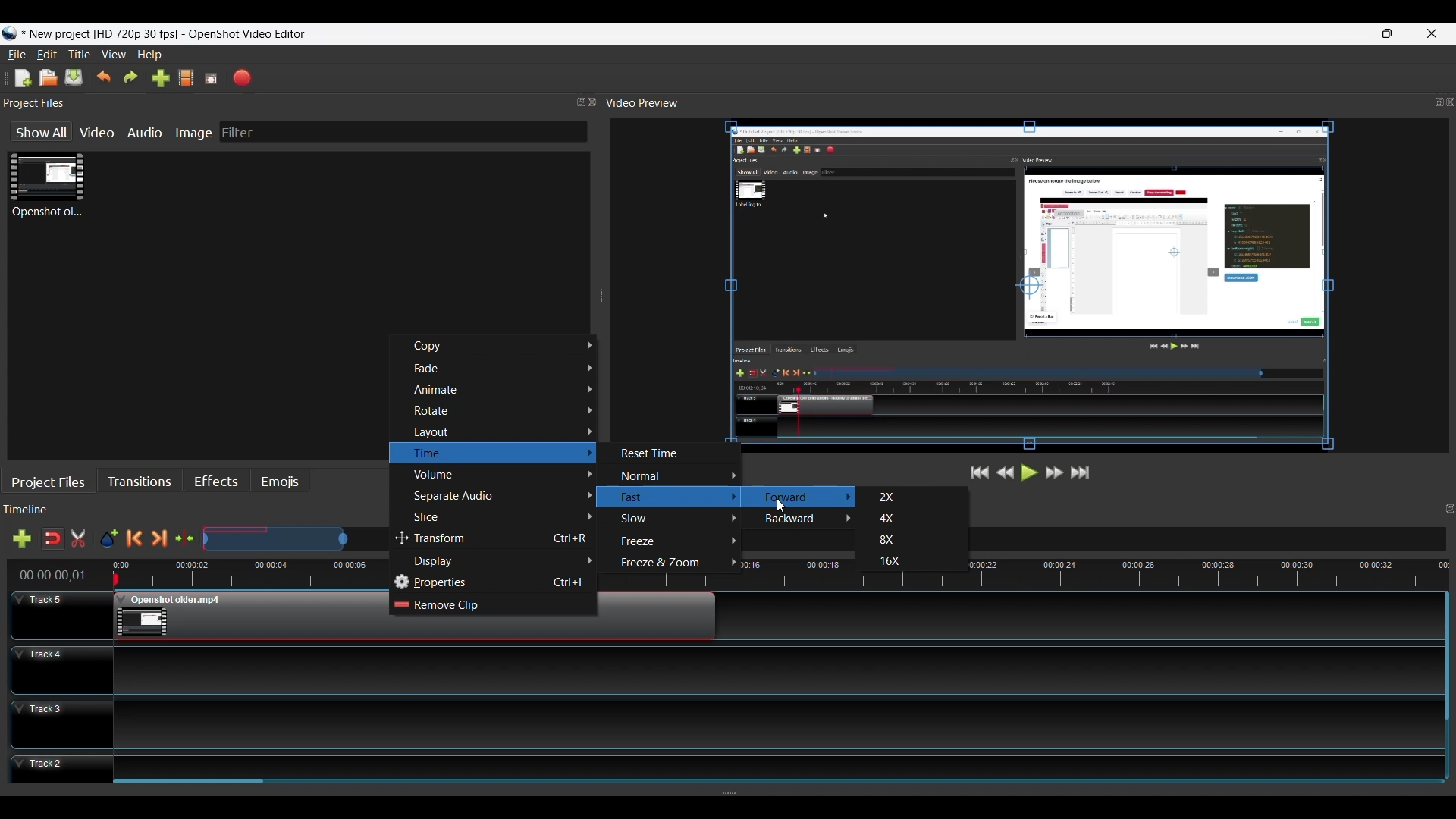  I want to click on Video Preview Panel, so click(1029, 103).